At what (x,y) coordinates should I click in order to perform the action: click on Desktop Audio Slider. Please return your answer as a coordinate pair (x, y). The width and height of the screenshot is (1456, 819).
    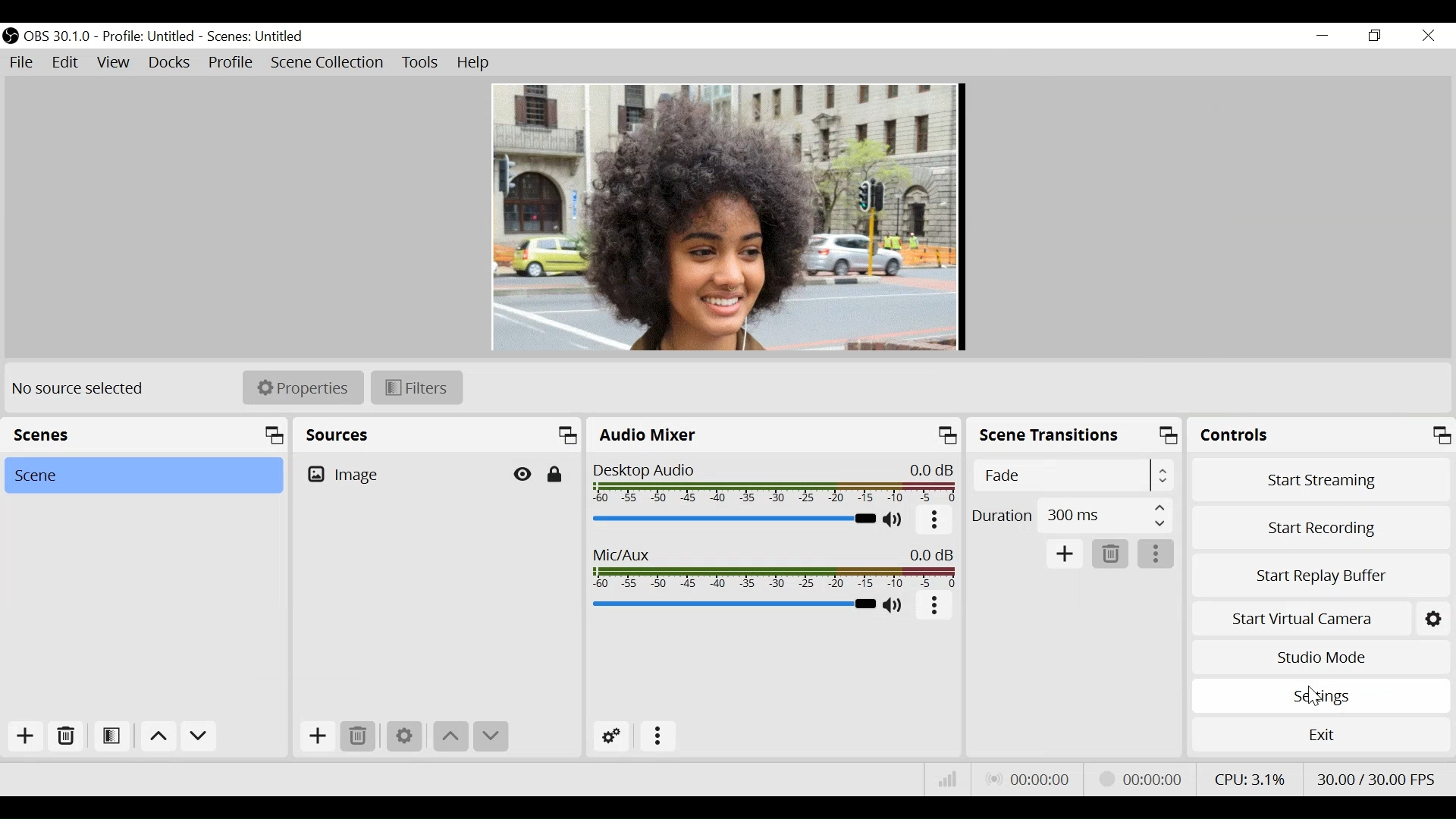
    Looking at the image, I should click on (733, 519).